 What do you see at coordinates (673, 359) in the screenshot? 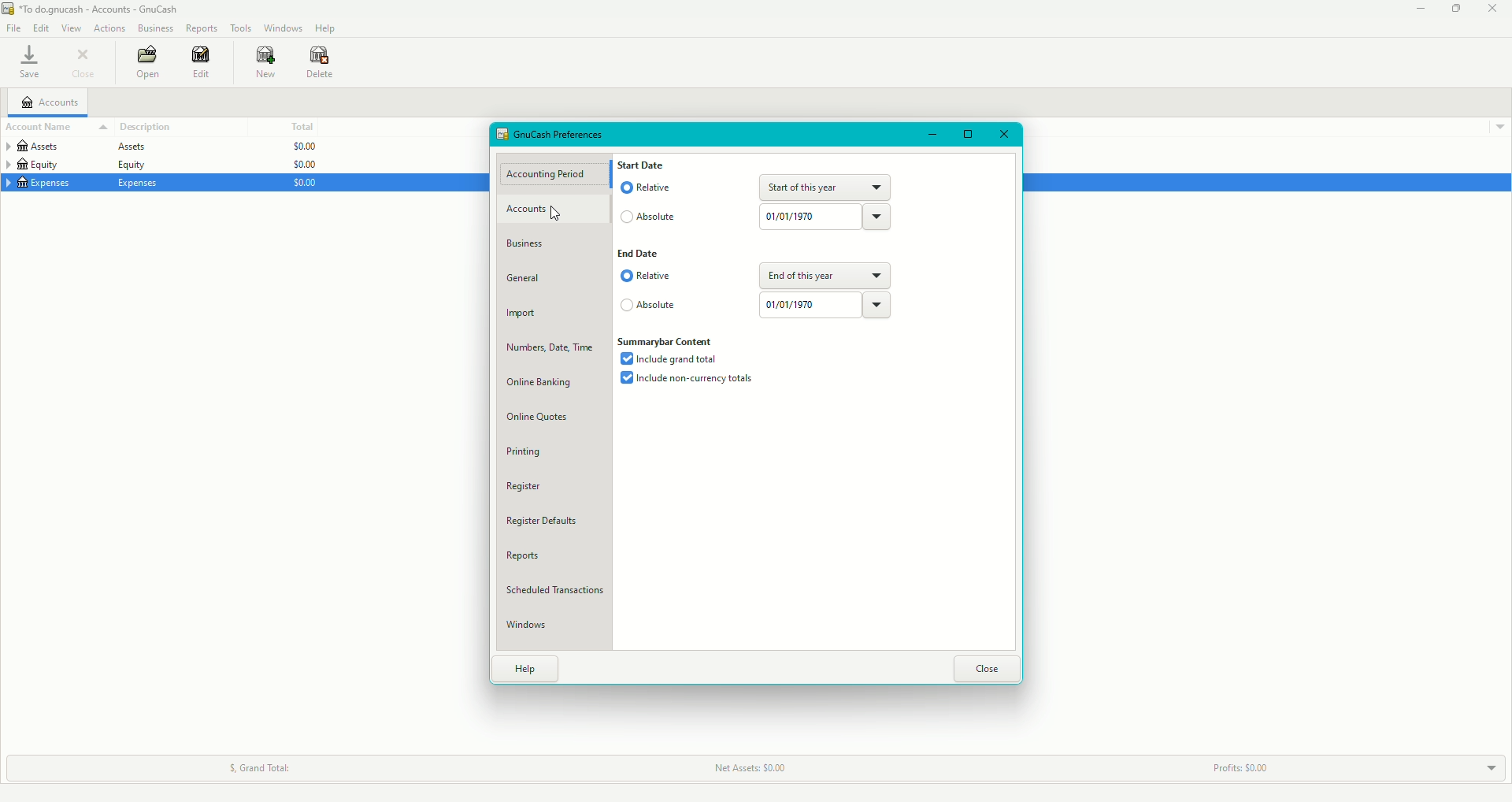
I see `Include total` at bounding box center [673, 359].